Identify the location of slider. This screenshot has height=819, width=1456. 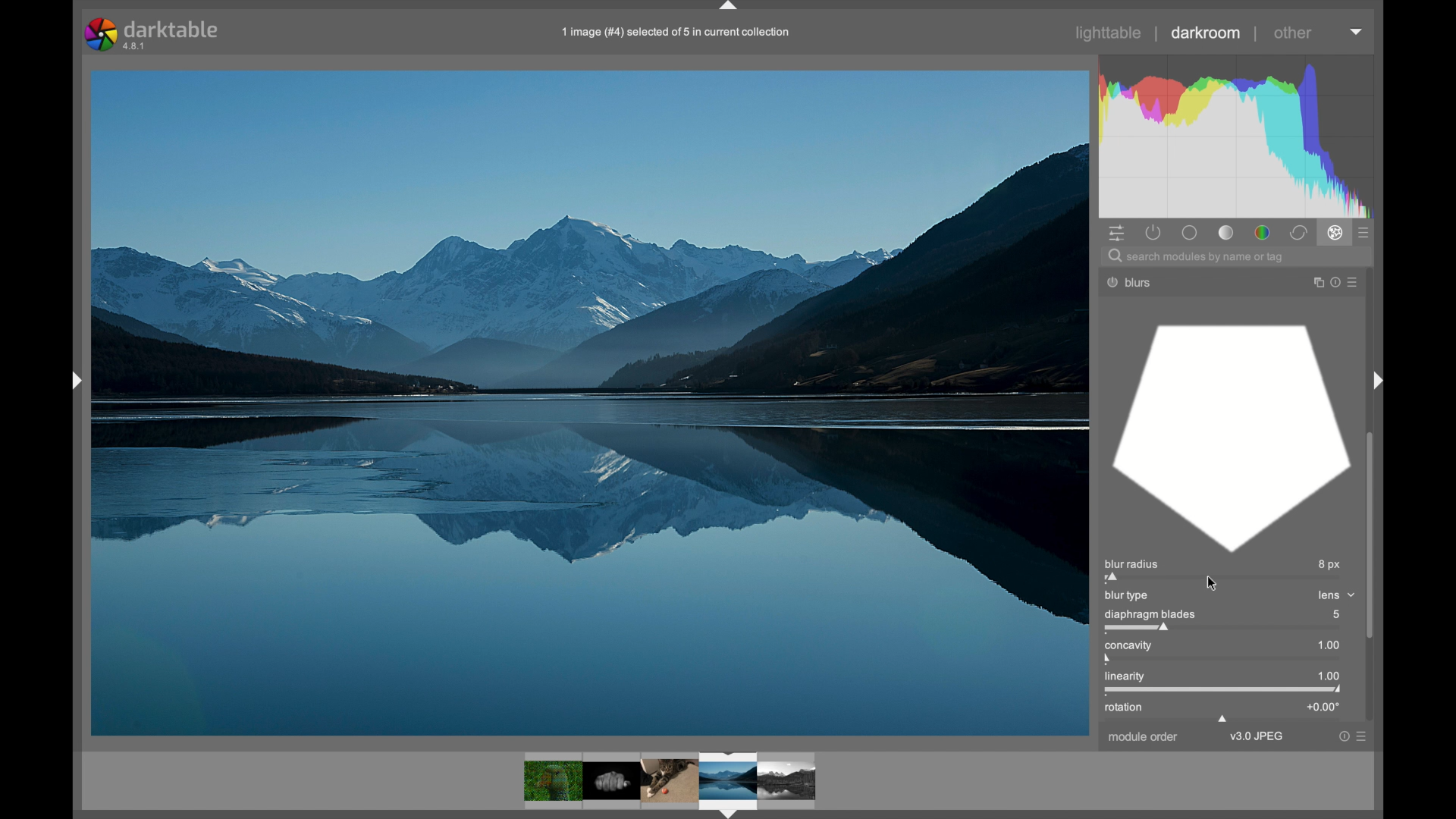
(1223, 660).